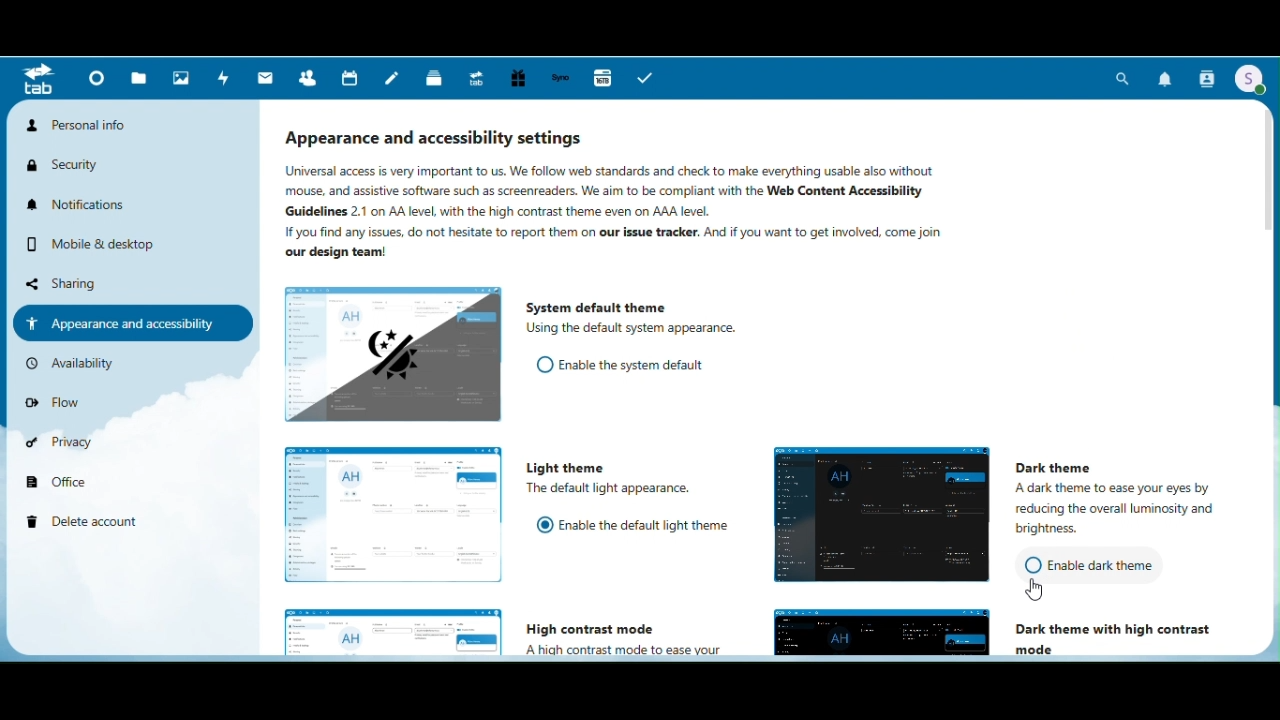 This screenshot has height=720, width=1280. Describe the element at coordinates (78, 440) in the screenshot. I see `Privacy` at that location.